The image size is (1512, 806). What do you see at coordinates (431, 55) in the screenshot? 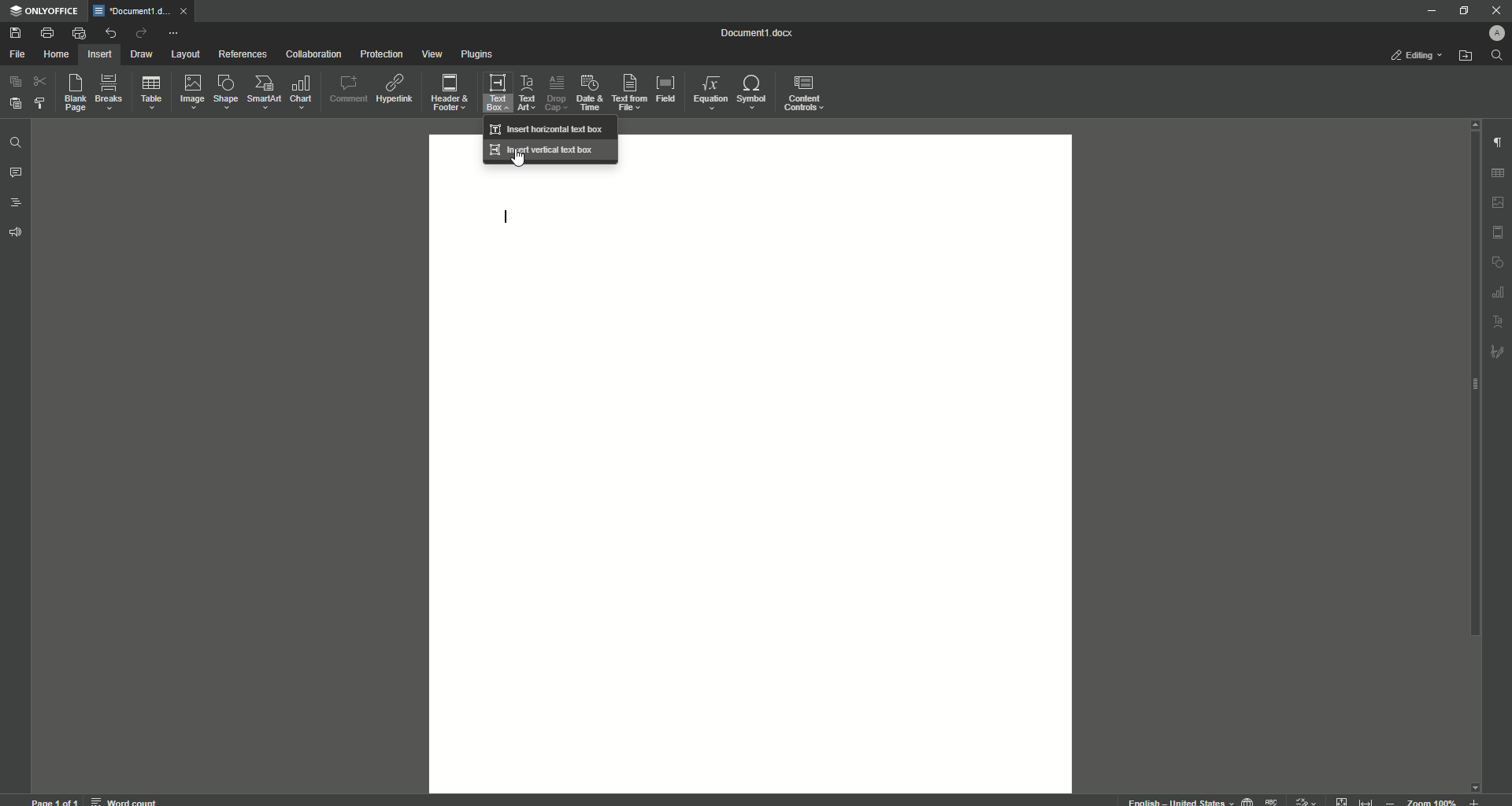
I see `View` at bounding box center [431, 55].